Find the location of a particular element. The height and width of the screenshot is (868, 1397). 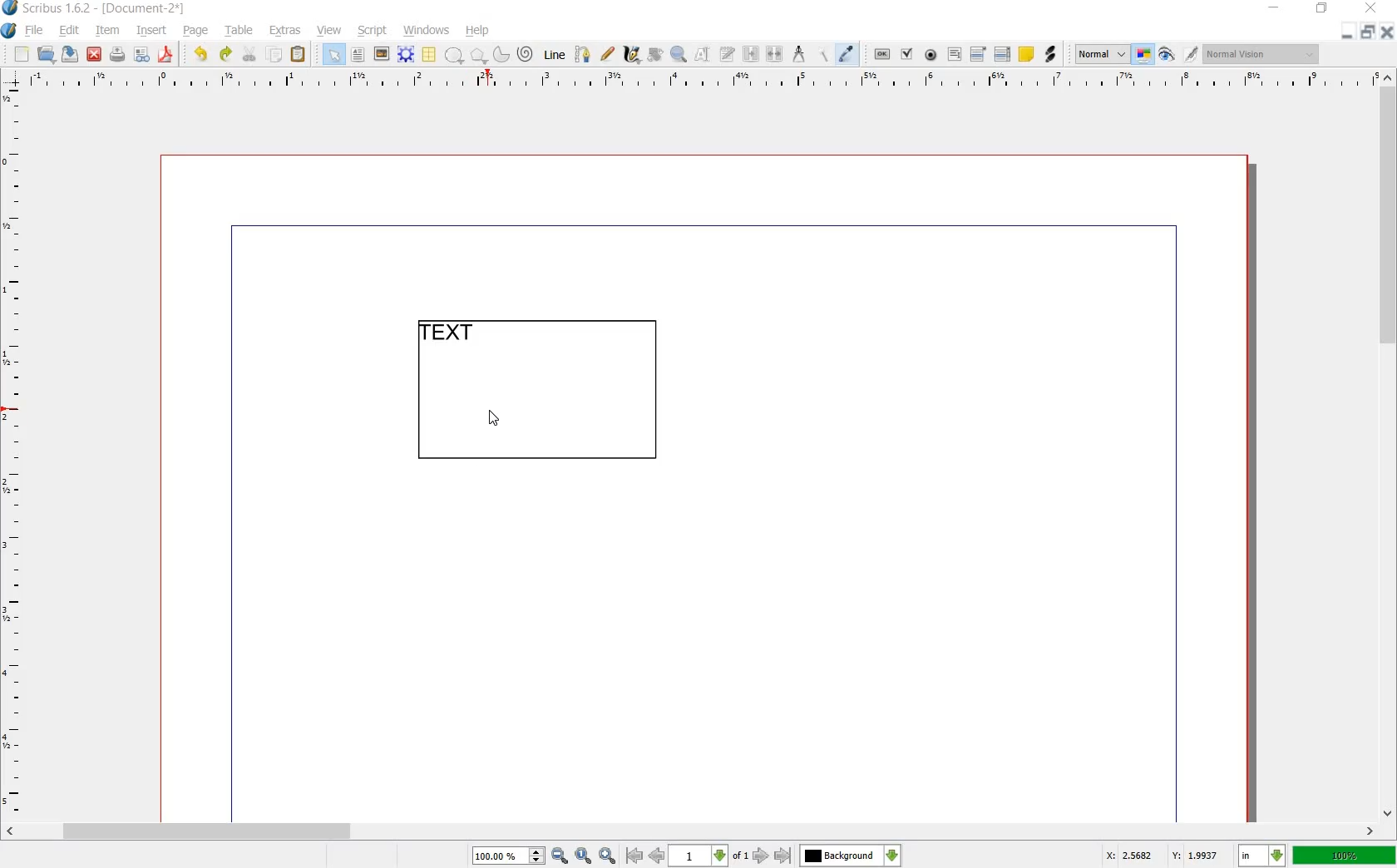

preview mode is located at coordinates (1167, 54).